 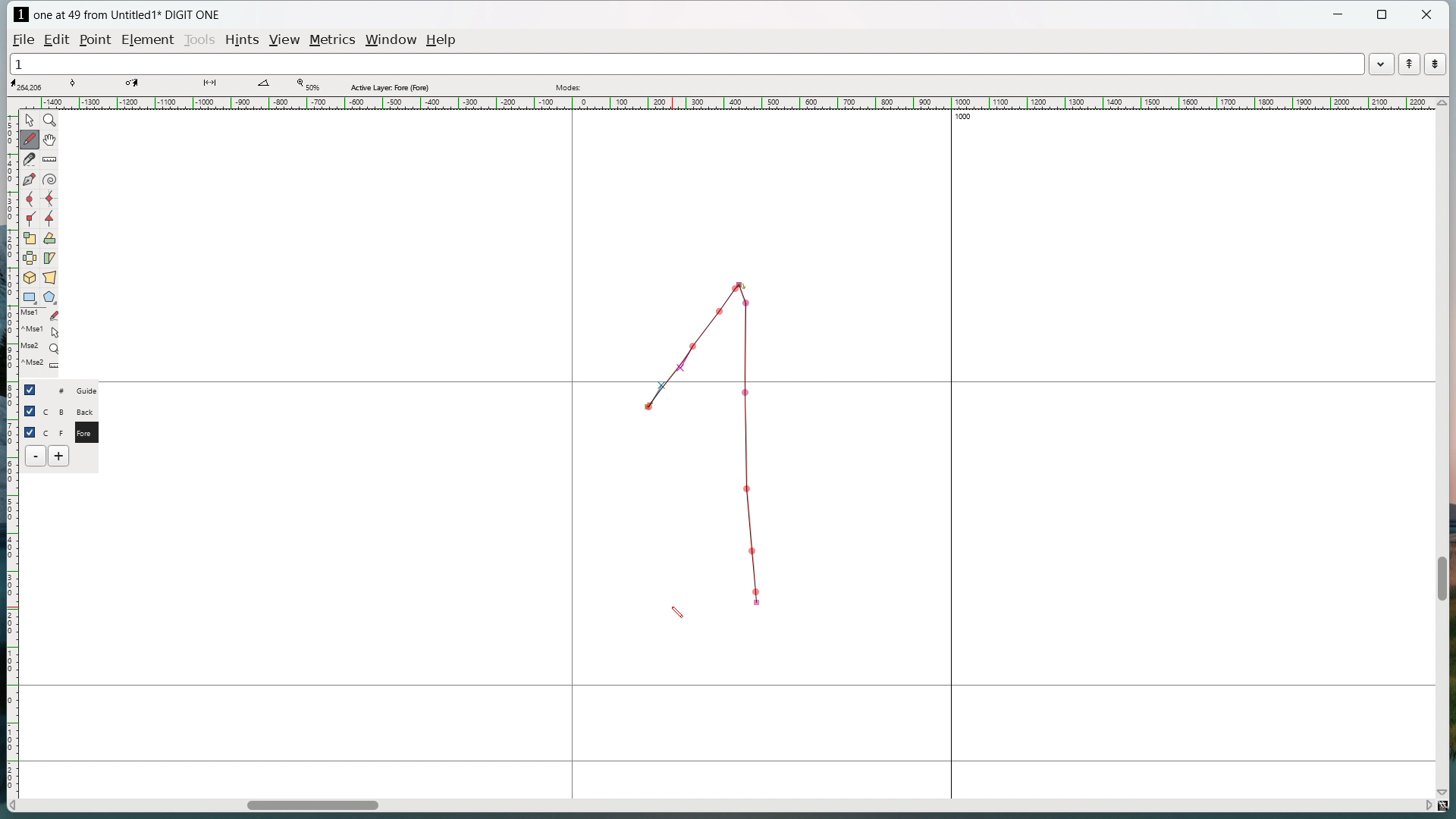 What do you see at coordinates (970, 118) in the screenshot?
I see `1000` at bounding box center [970, 118].